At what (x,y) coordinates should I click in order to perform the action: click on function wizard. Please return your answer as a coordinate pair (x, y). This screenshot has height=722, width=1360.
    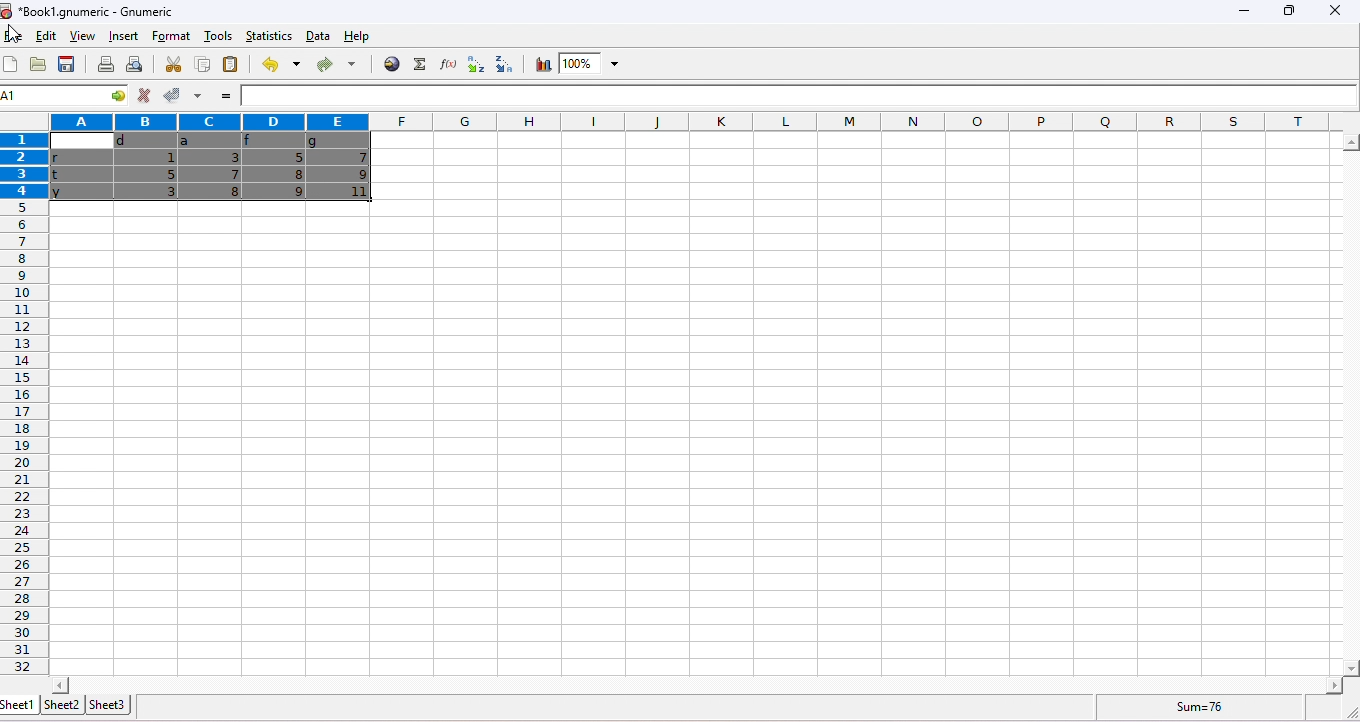
    Looking at the image, I should click on (445, 64).